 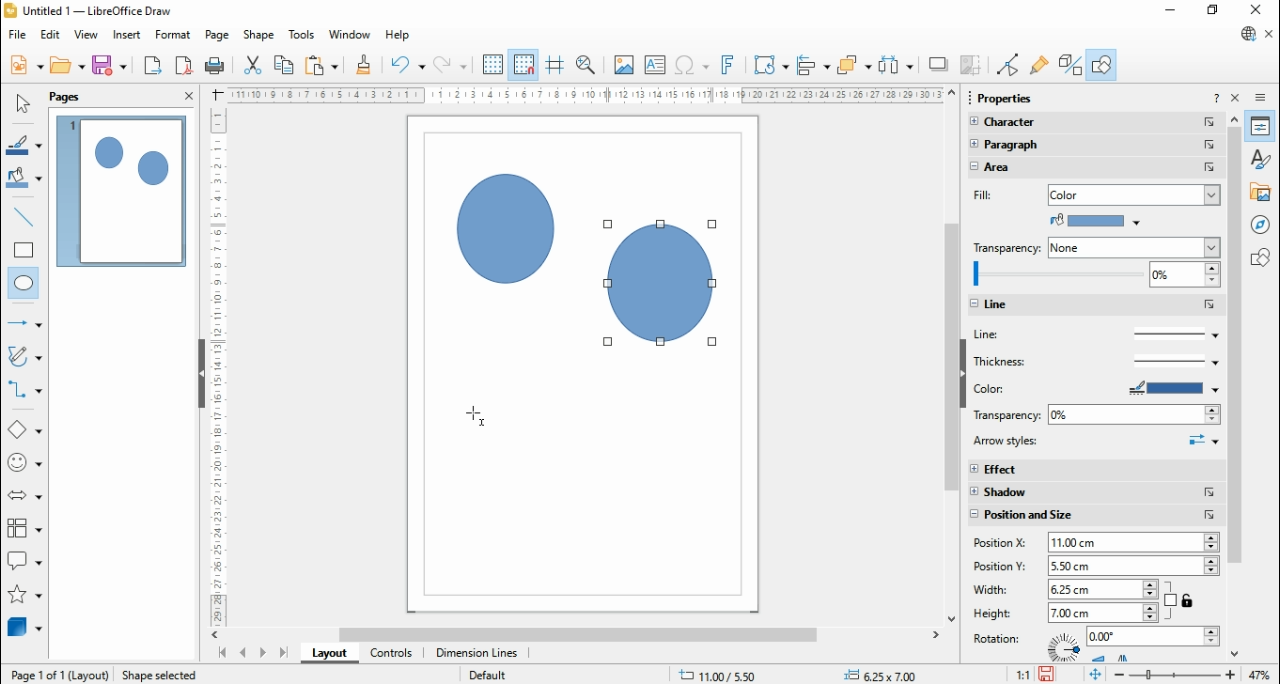 I want to click on Default, so click(x=487, y=673).